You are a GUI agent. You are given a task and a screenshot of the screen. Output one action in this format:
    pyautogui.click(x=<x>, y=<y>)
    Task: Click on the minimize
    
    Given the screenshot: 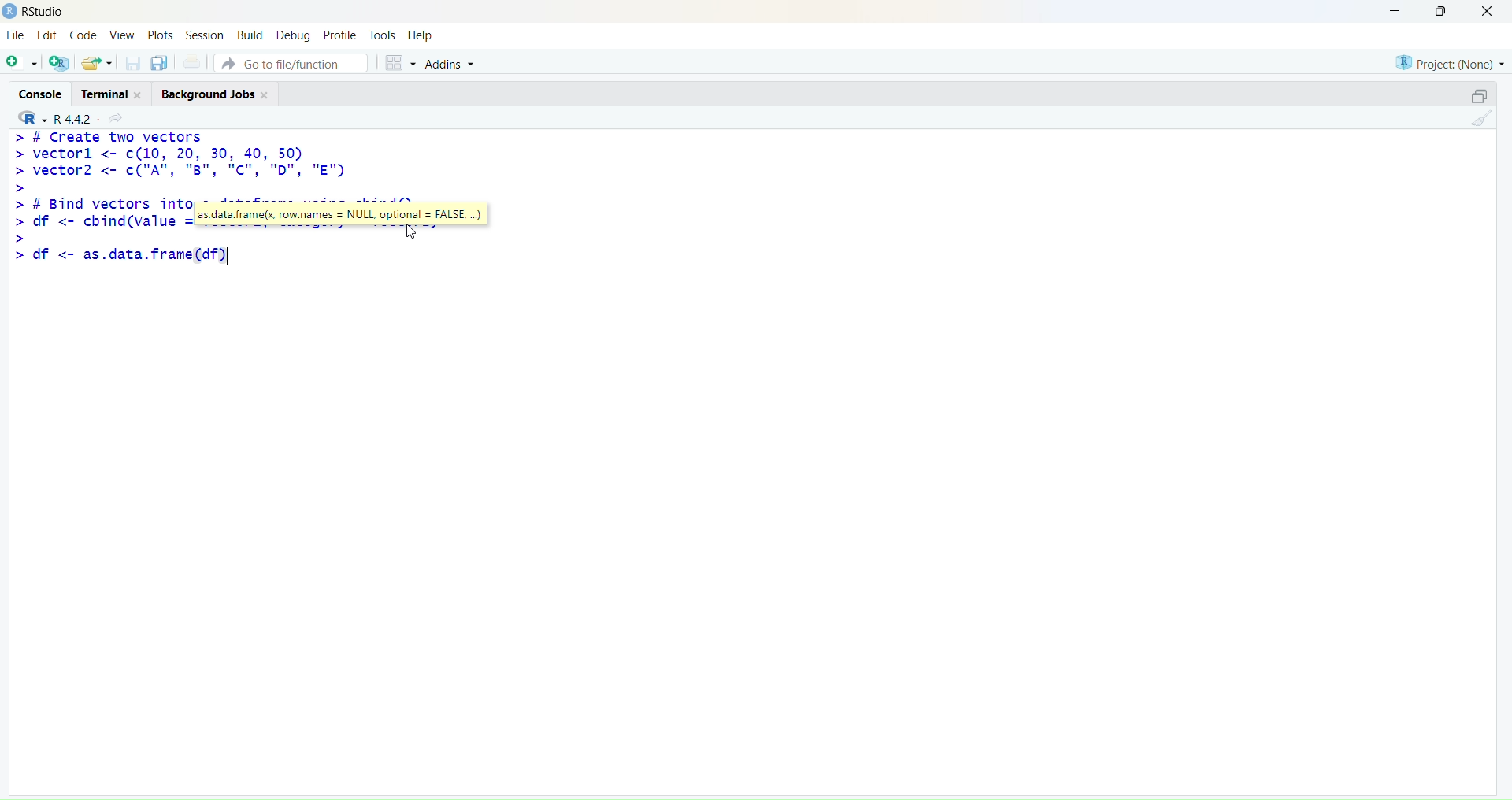 What is the action you would take?
    pyautogui.click(x=1481, y=97)
    